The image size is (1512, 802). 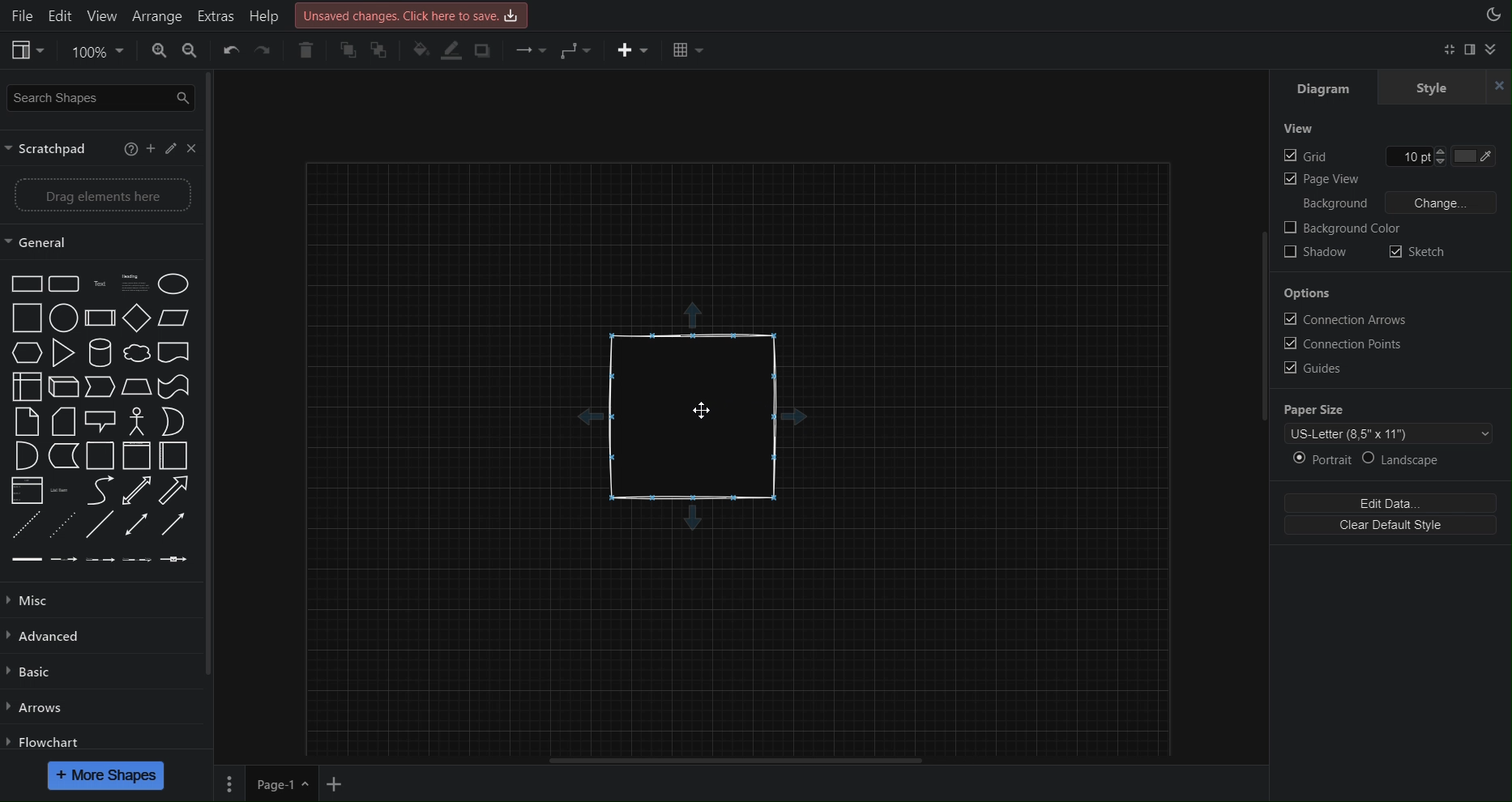 I want to click on More Shapes, so click(x=105, y=775).